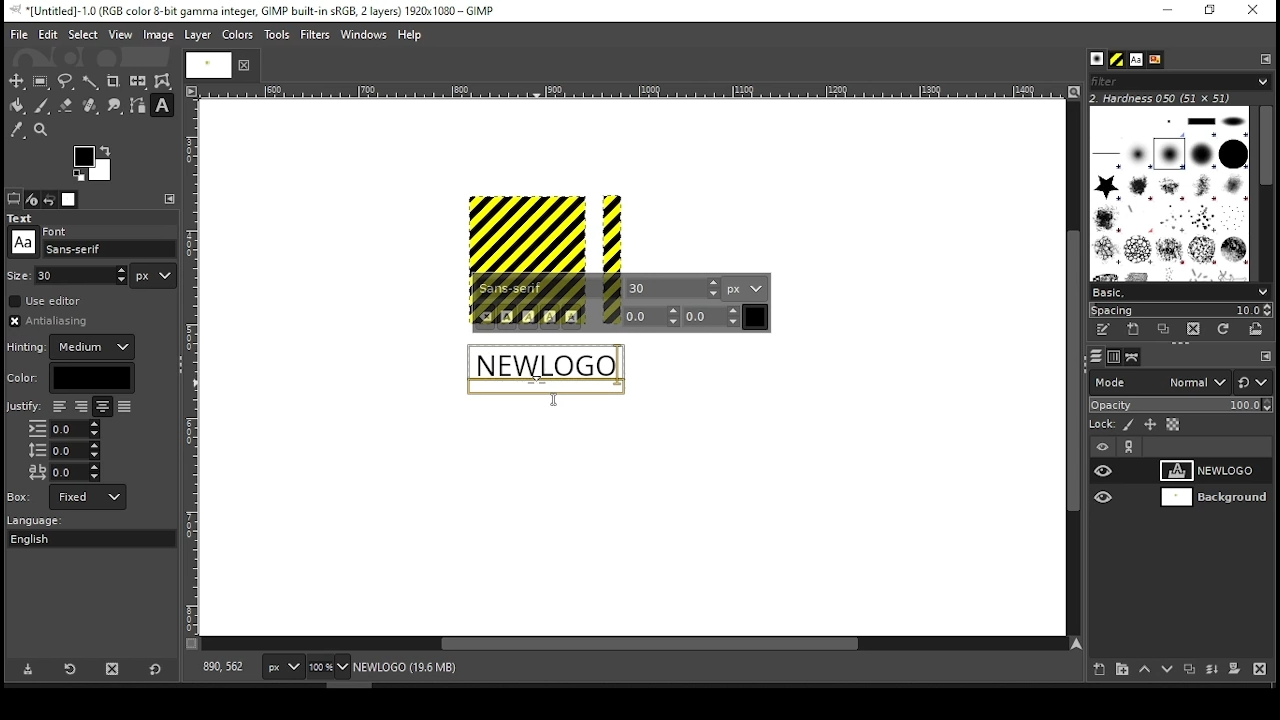 This screenshot has width=1280, height=720. What do you see at coordinates (1111, 496) in the screenshot?
I see `` at bounding box center [1111, 496].